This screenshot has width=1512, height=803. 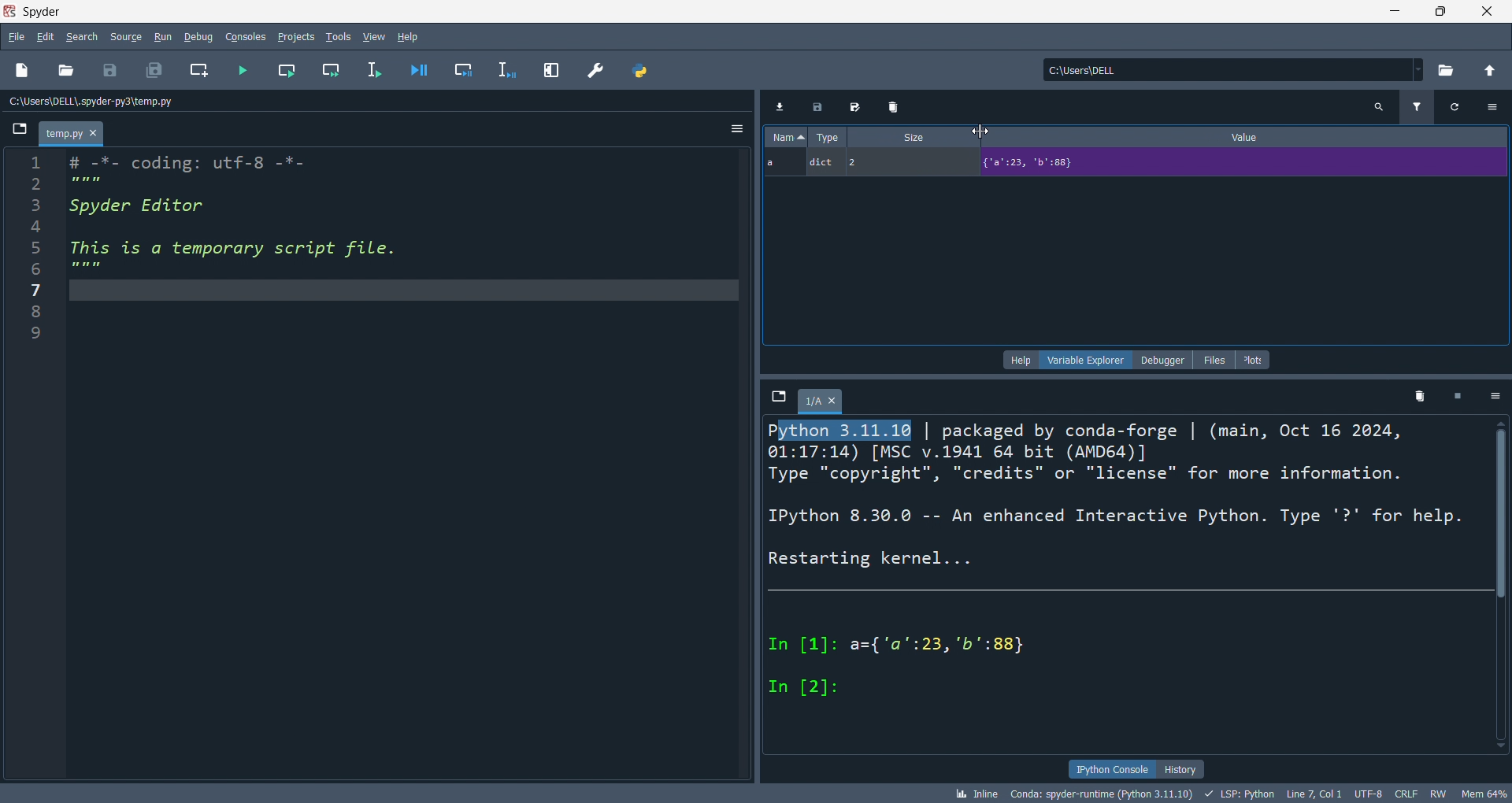 I want to click on variable explorer, so click(x=1085, y=359).